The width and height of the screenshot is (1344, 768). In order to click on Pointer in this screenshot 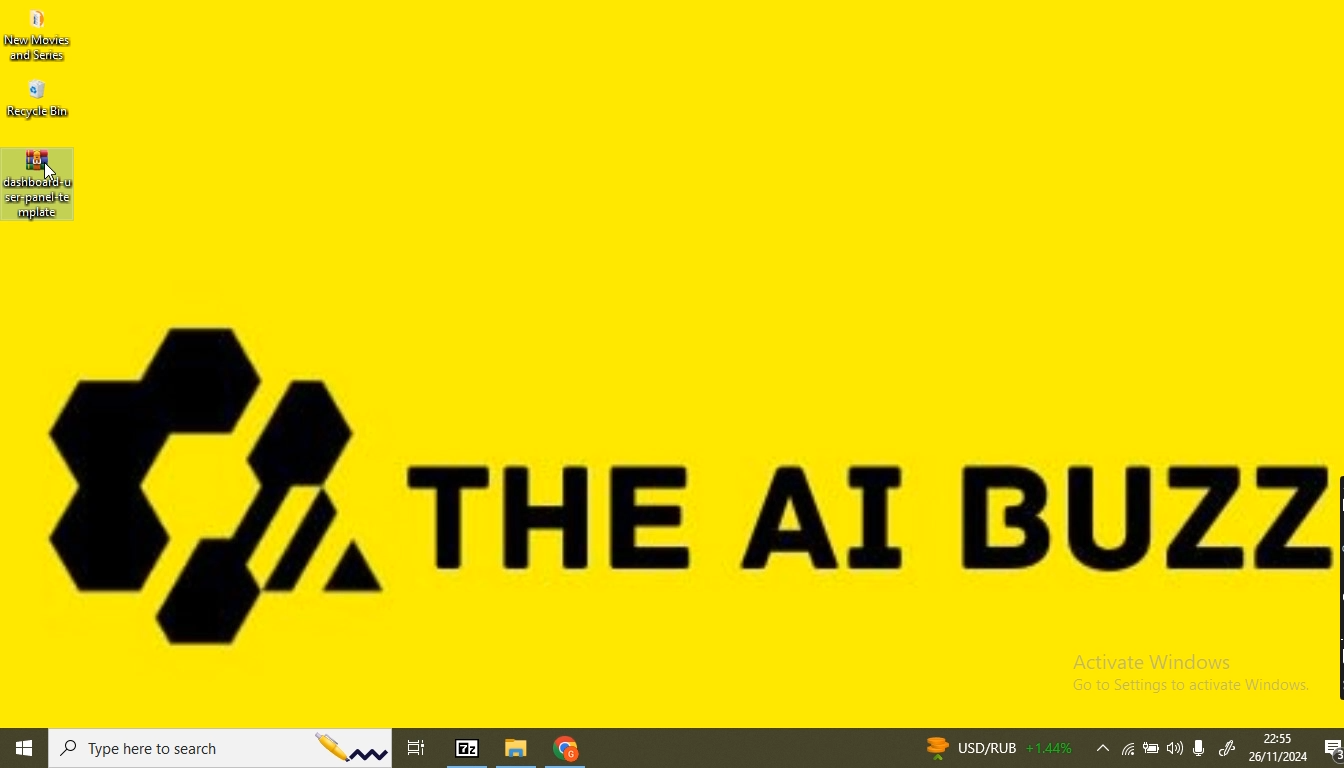, I will do `click(53, 176)`.